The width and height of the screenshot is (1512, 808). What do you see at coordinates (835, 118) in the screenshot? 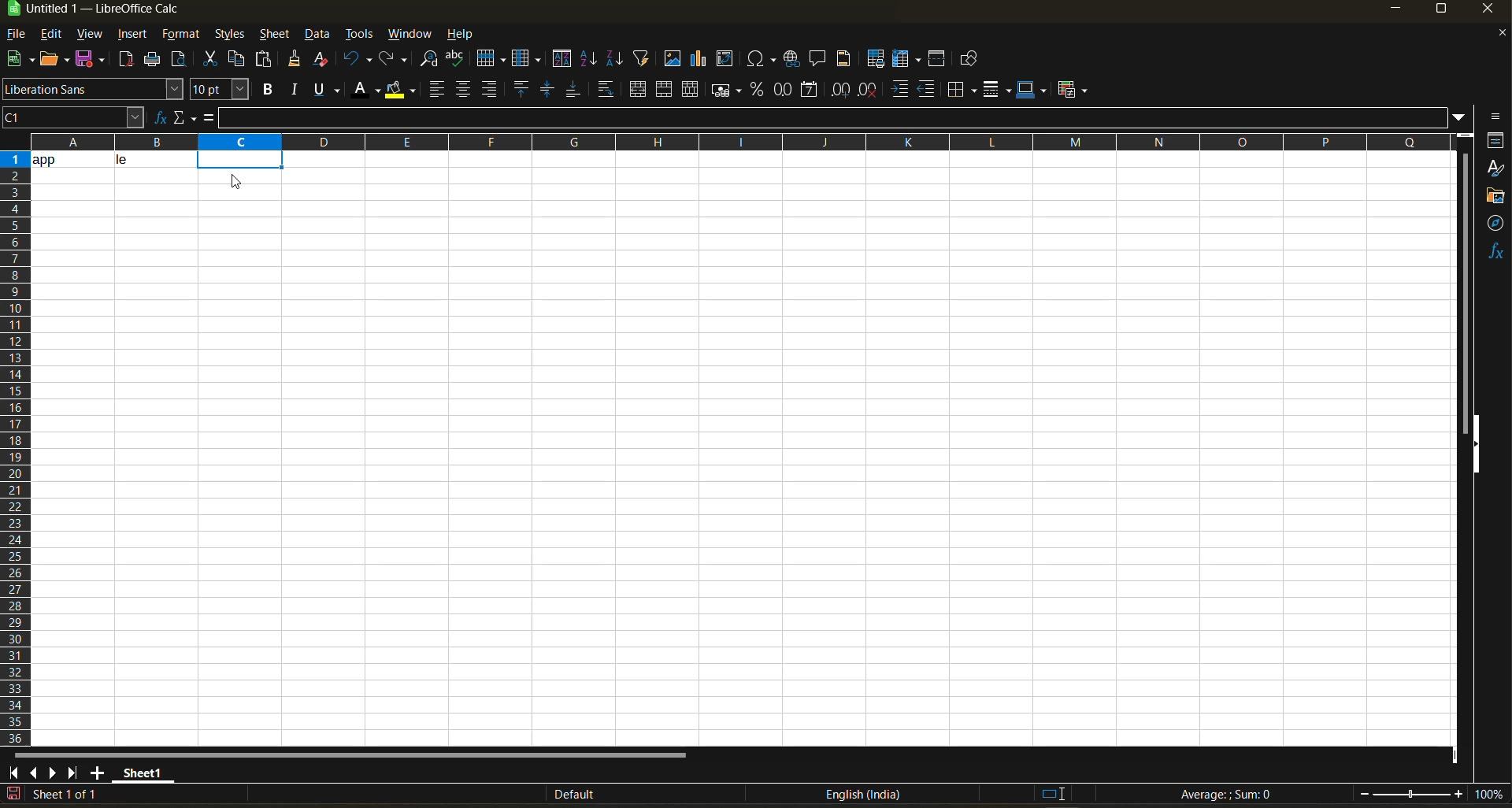
I see `input line` at bounding box center [835, 118].